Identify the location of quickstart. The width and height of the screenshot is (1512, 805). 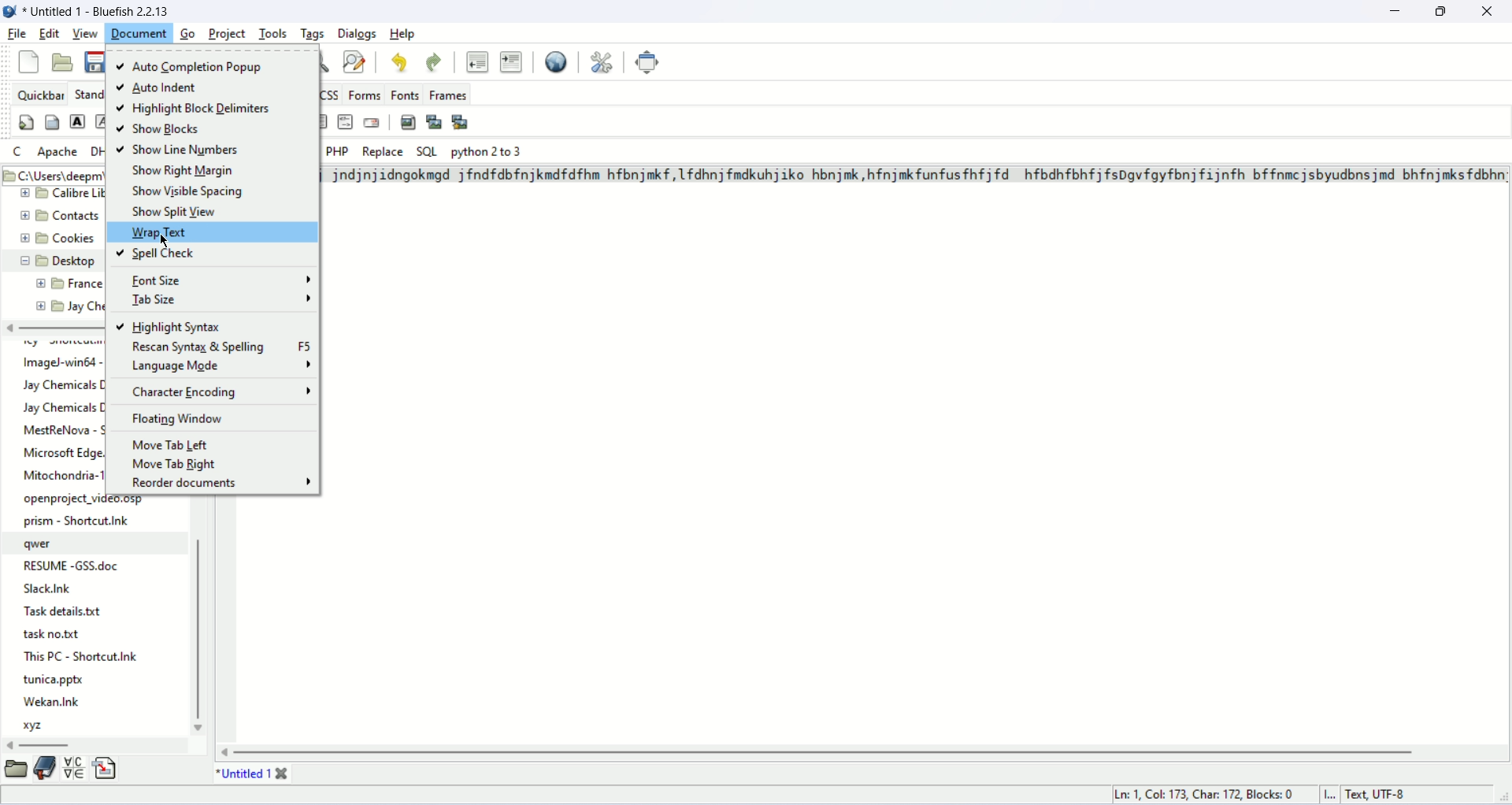
(25, 123).